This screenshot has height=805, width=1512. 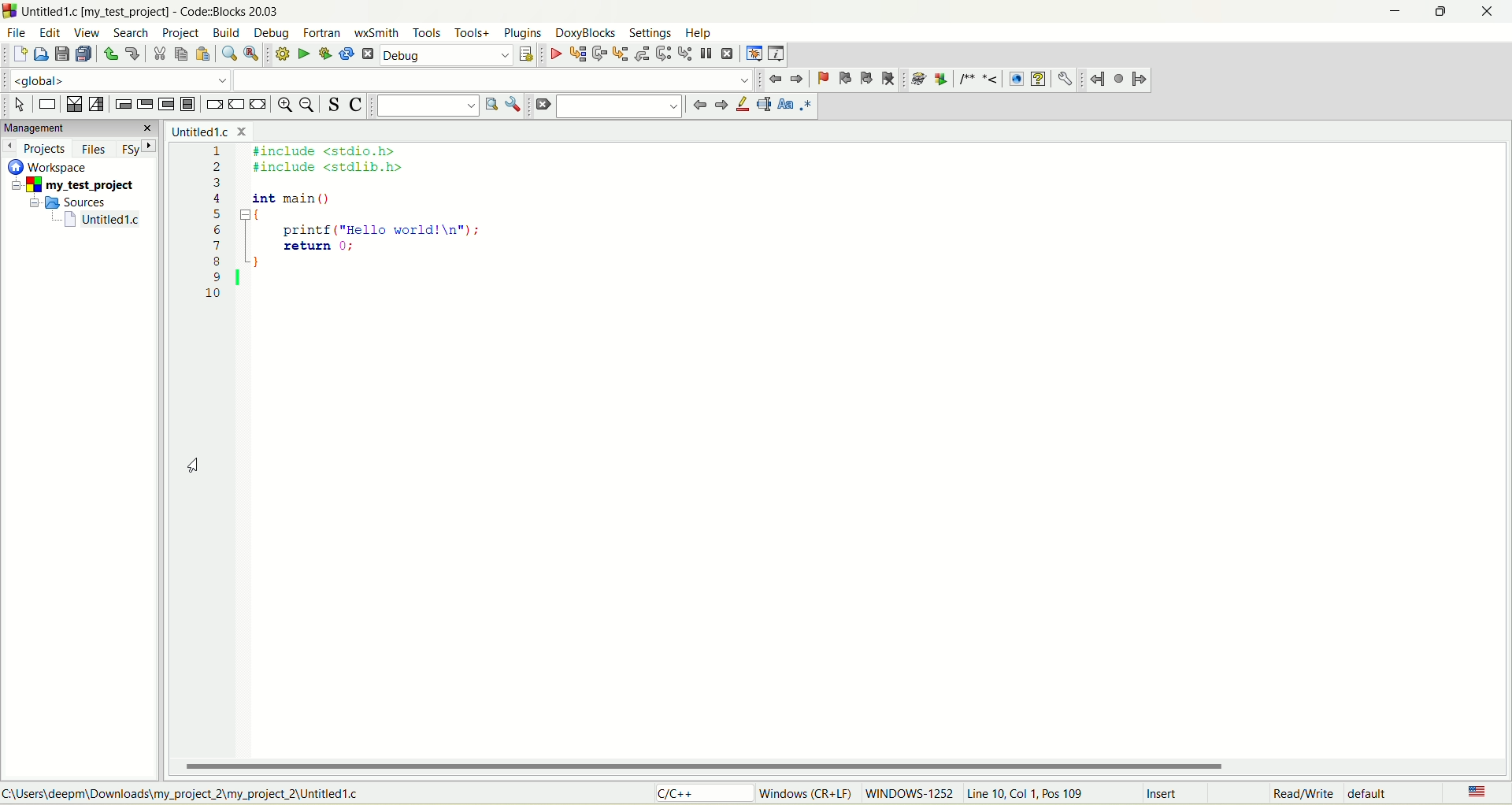 What do you see at coordinates (807, 796) in the screenshot?
I see `windows` at bounding box center [807, 796].